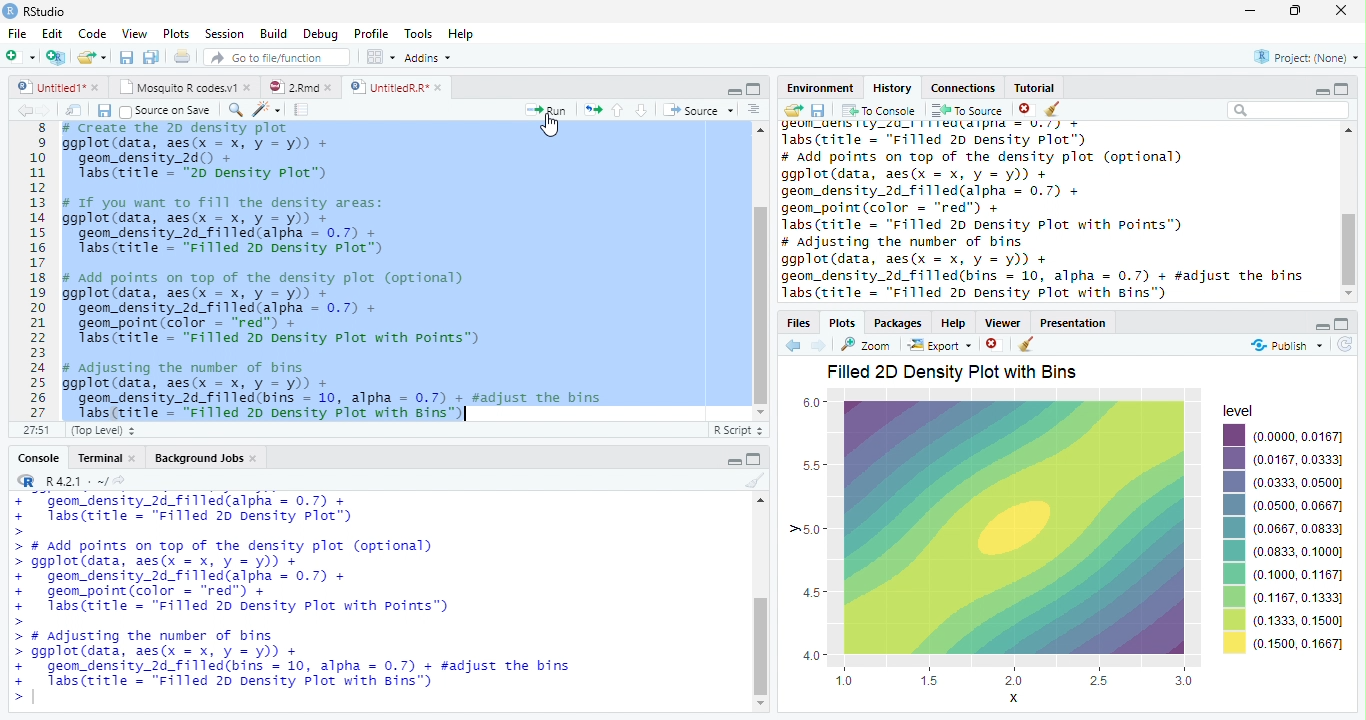  What do you see at coordinates (387, 86) in the screenshot?
I see `UnttiedR Rr”` at bounding box center [387, 86].